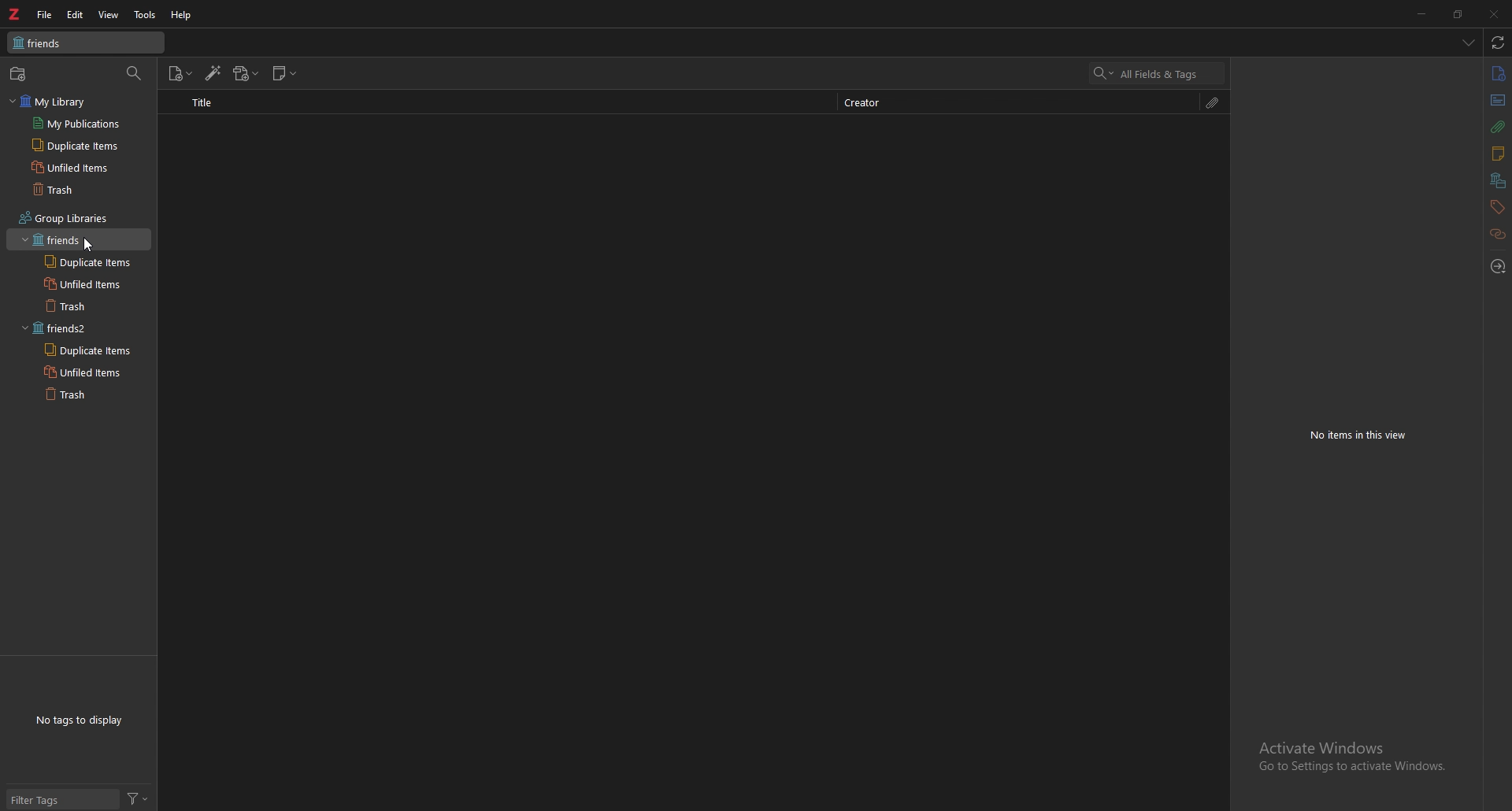  Describe the element at coordinates (1497, 183) in the screenshot. I see `libraries and collections` at that location.